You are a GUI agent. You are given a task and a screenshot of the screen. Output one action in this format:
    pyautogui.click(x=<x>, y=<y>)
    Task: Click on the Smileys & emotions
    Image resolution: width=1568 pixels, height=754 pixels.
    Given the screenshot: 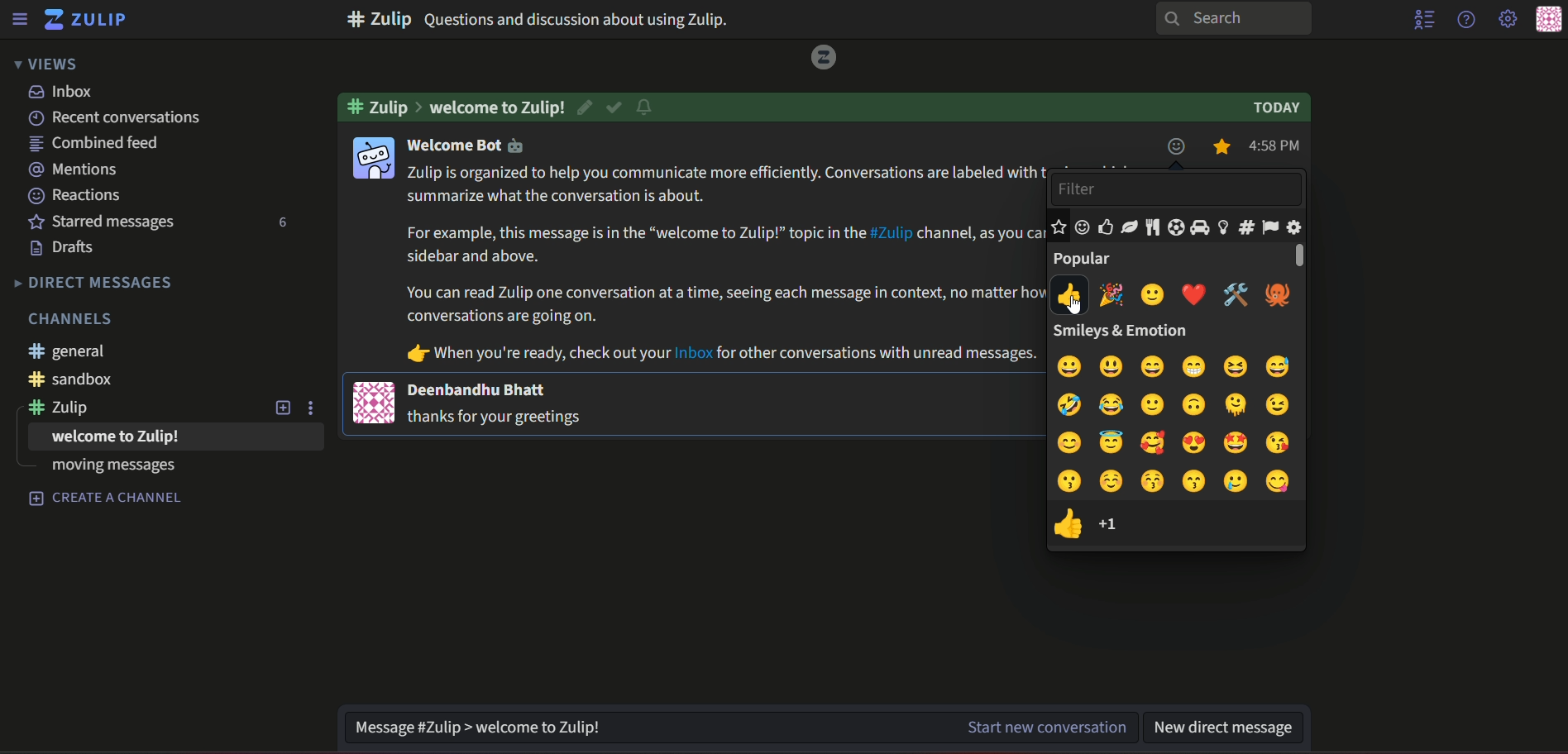 What is the action you would take?
    pyautogui.click(x=1139, y=331)
    